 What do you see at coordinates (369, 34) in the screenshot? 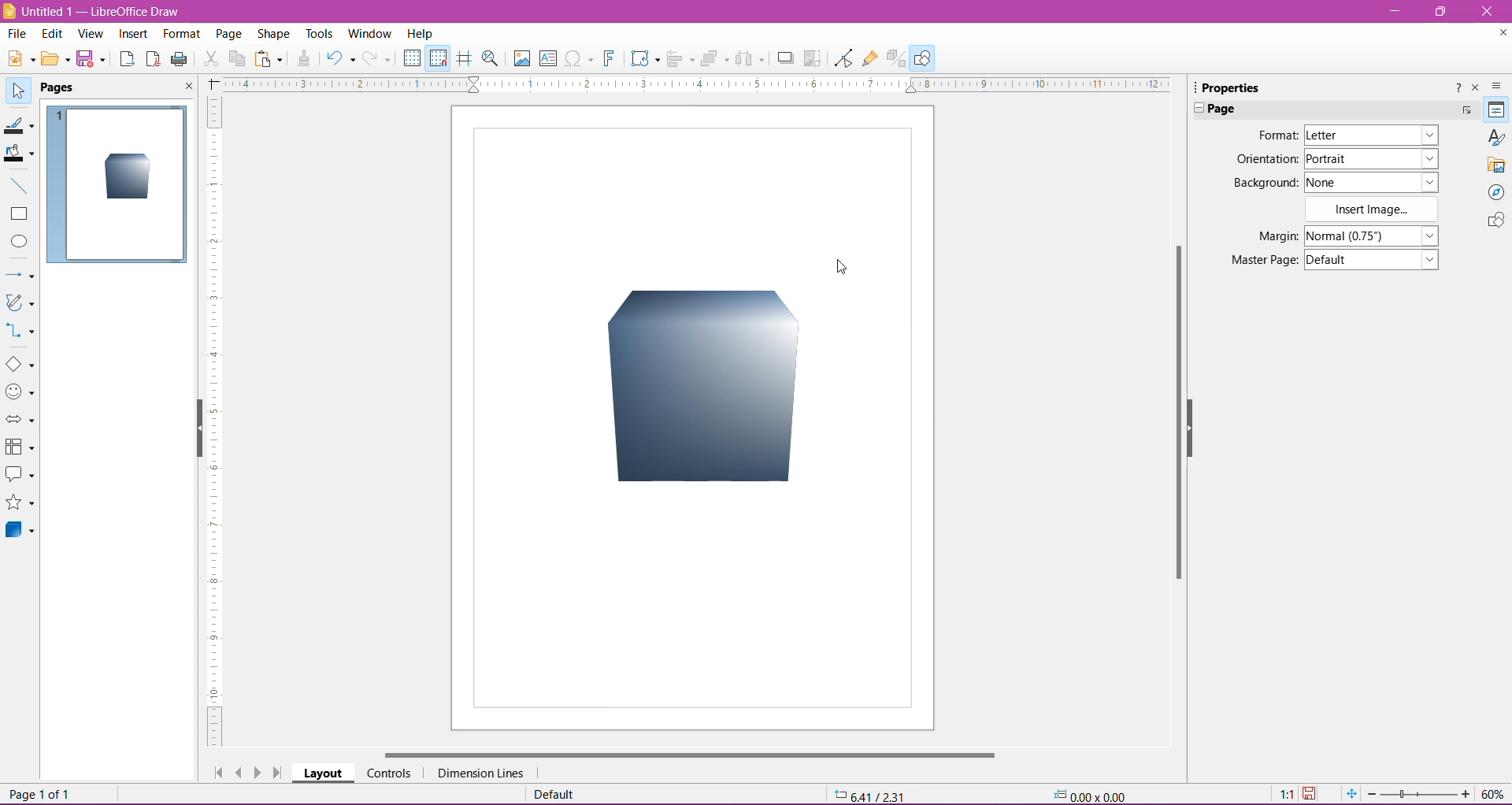
I see `Window` at bounding box center [369, 34].